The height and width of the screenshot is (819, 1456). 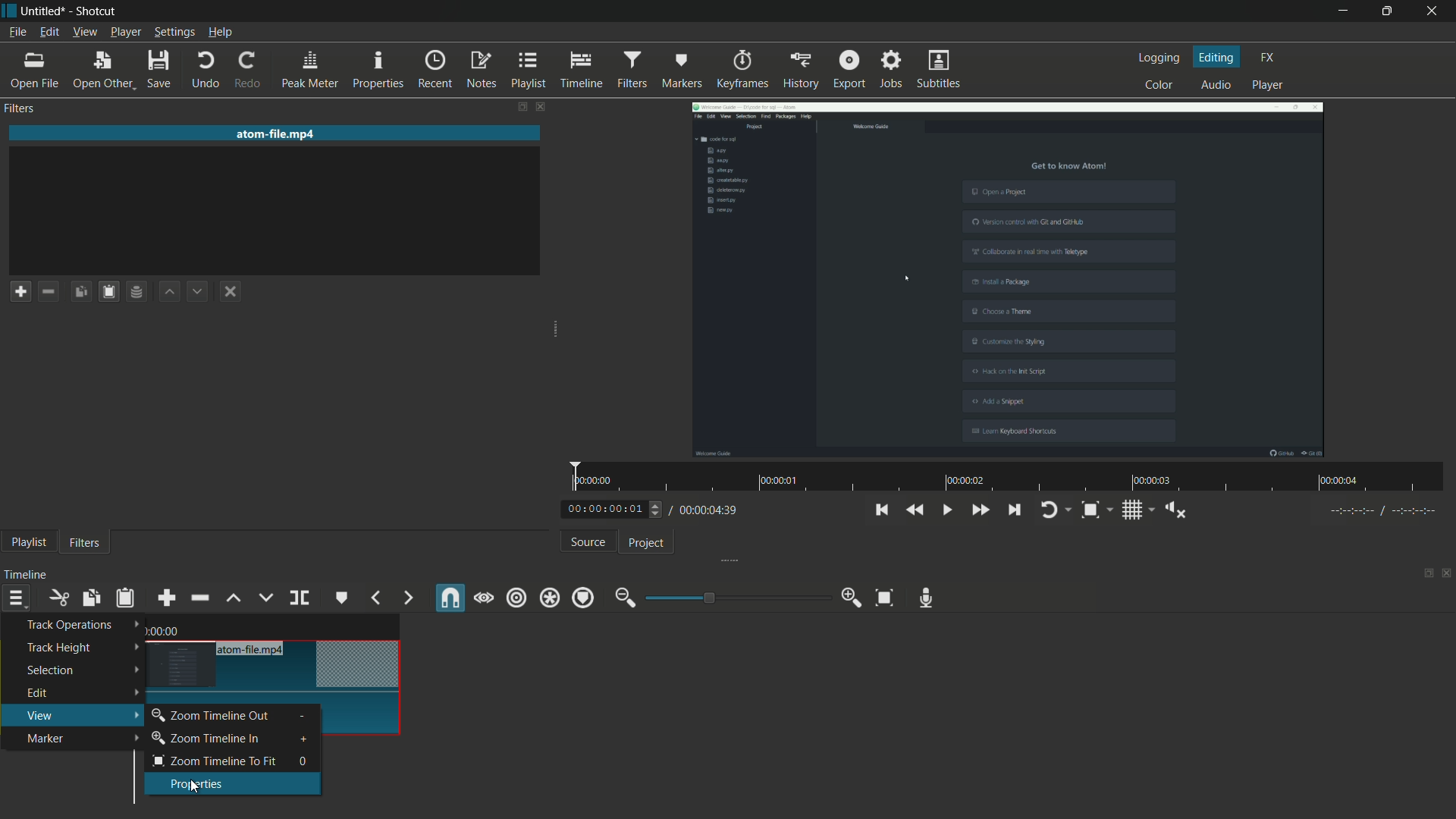 What do you see at coordinates (306, 717) in the screenshot?
I see `-` at bounding box center [306, 717].